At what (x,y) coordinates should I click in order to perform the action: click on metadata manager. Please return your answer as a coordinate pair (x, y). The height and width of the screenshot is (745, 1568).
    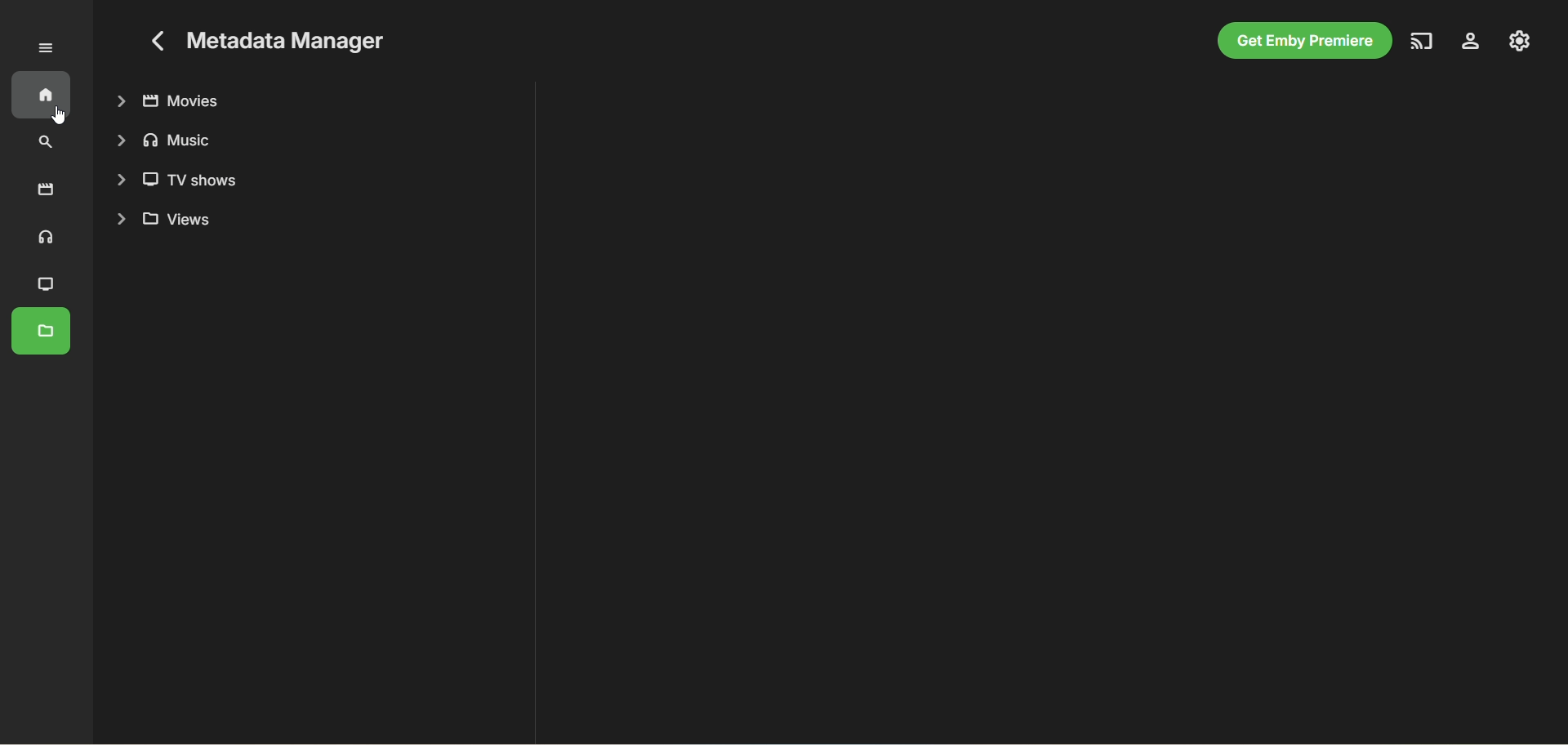
    Looking at the image, I should click on (41, 332).